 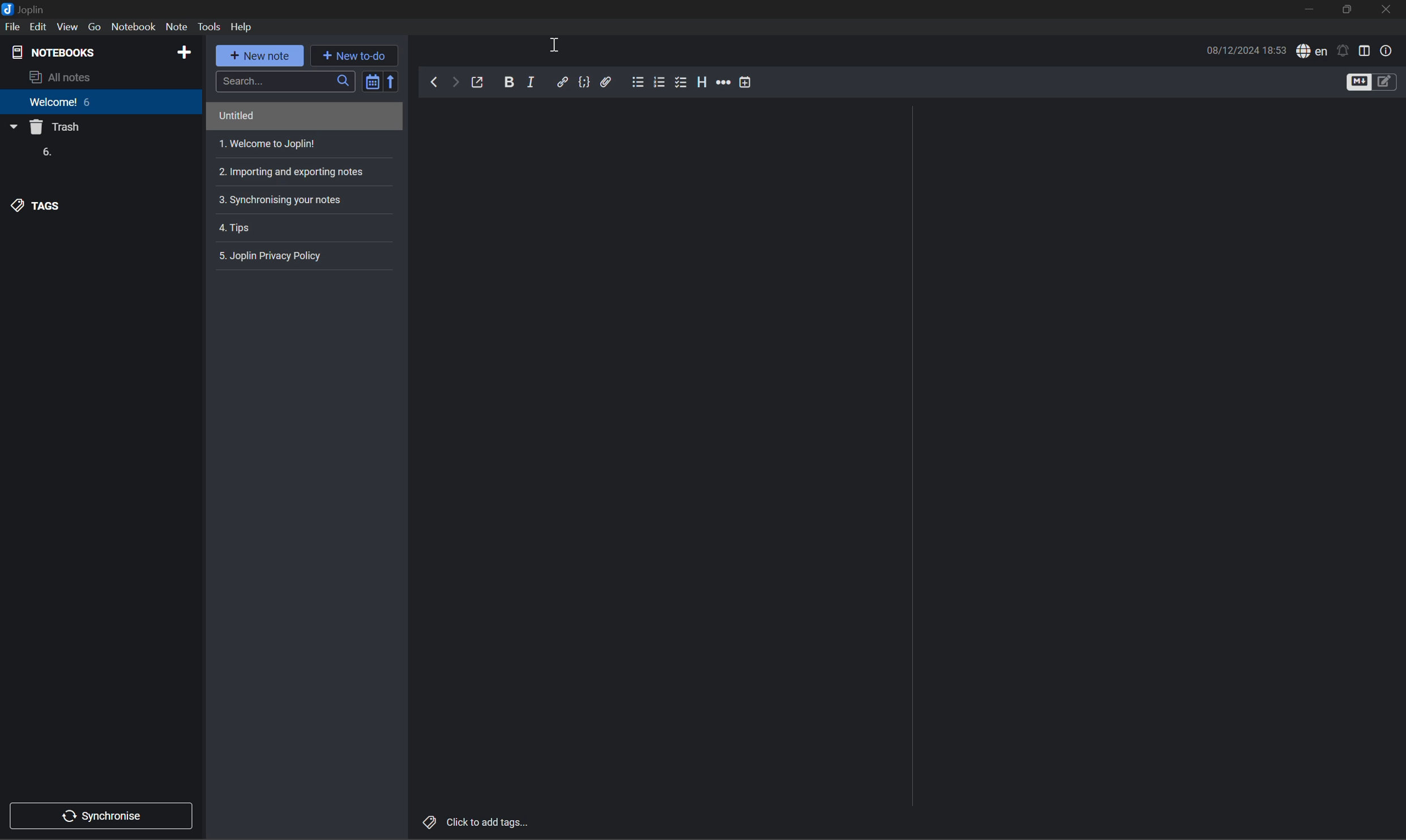 I want to click on Italic, so click(x=533, y=82).